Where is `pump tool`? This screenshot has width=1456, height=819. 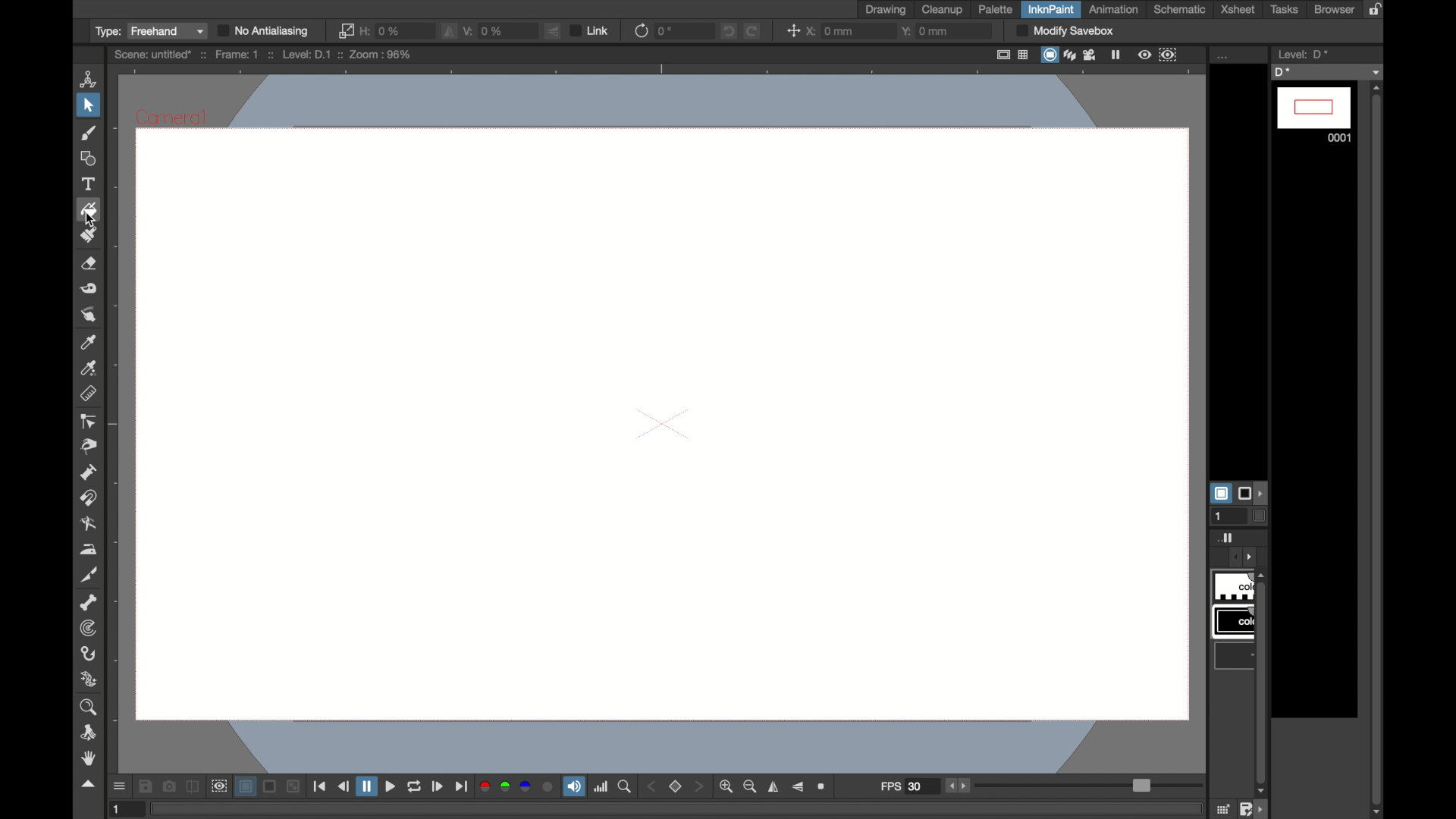
pump tool is located at coordinates (87, 472).